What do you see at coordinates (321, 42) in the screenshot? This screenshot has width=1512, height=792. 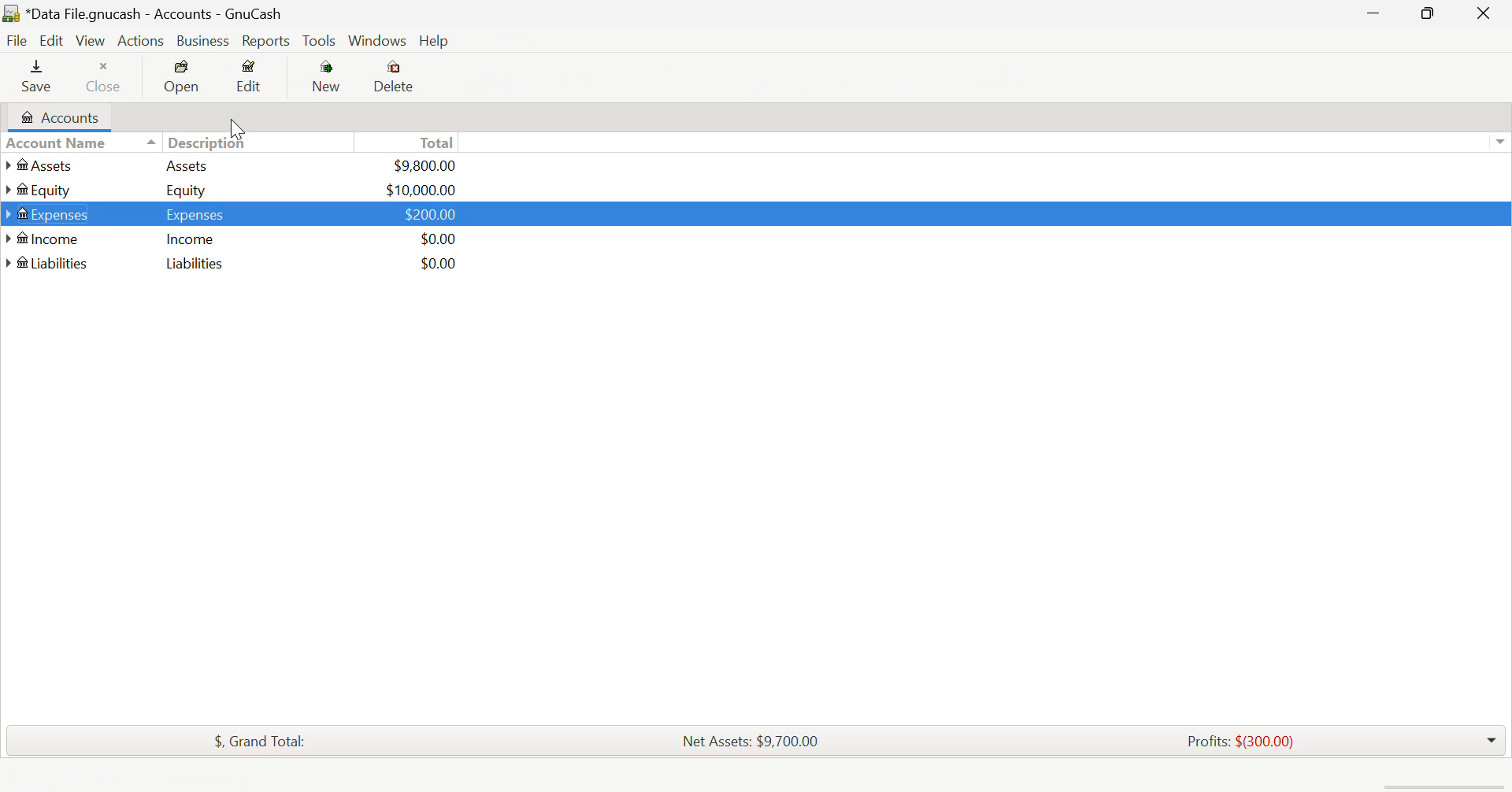 I see `Tools` at bounding box center [321, 42].